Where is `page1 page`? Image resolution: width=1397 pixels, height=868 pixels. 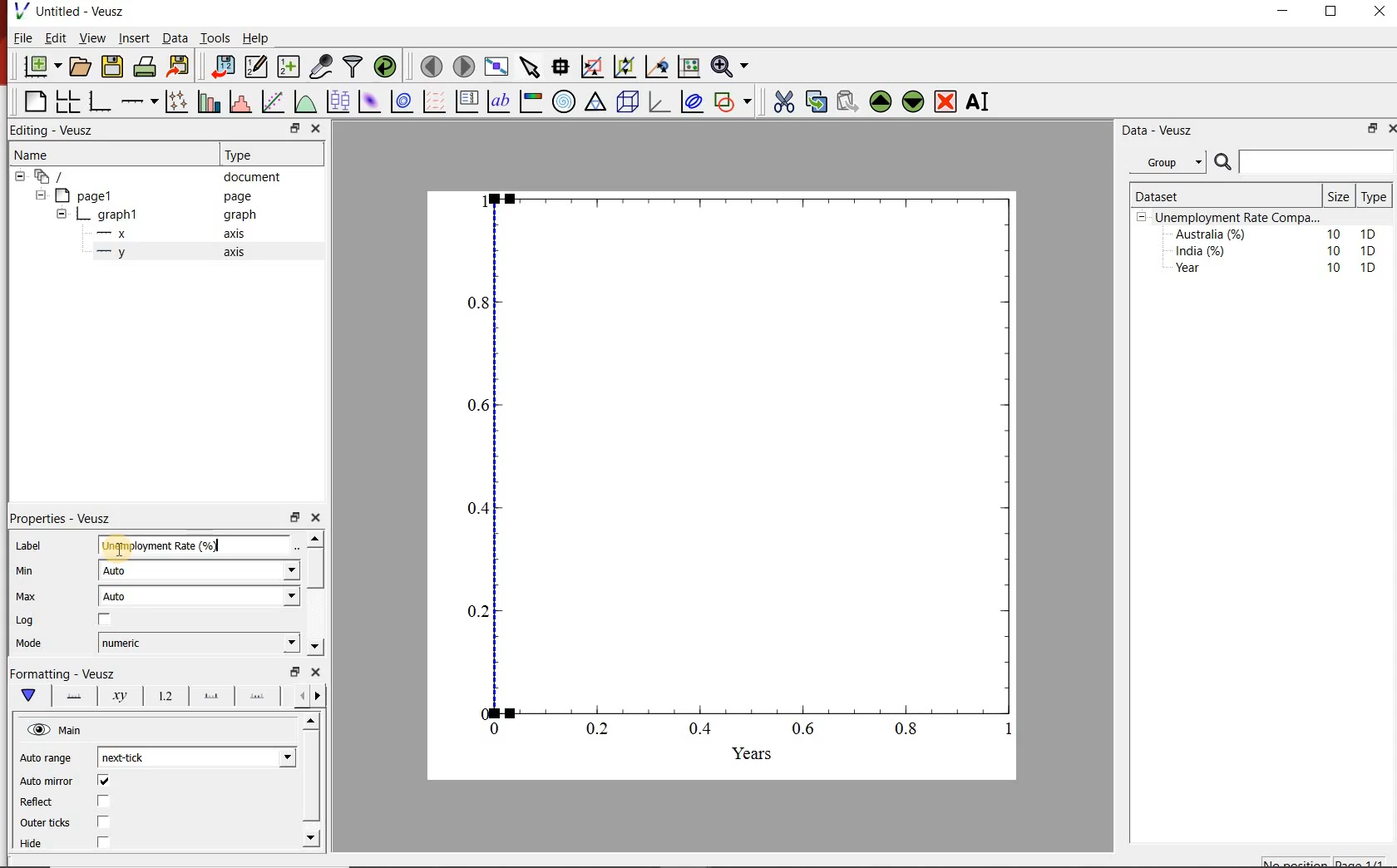
page1 page is located at coordinates (160, 195).